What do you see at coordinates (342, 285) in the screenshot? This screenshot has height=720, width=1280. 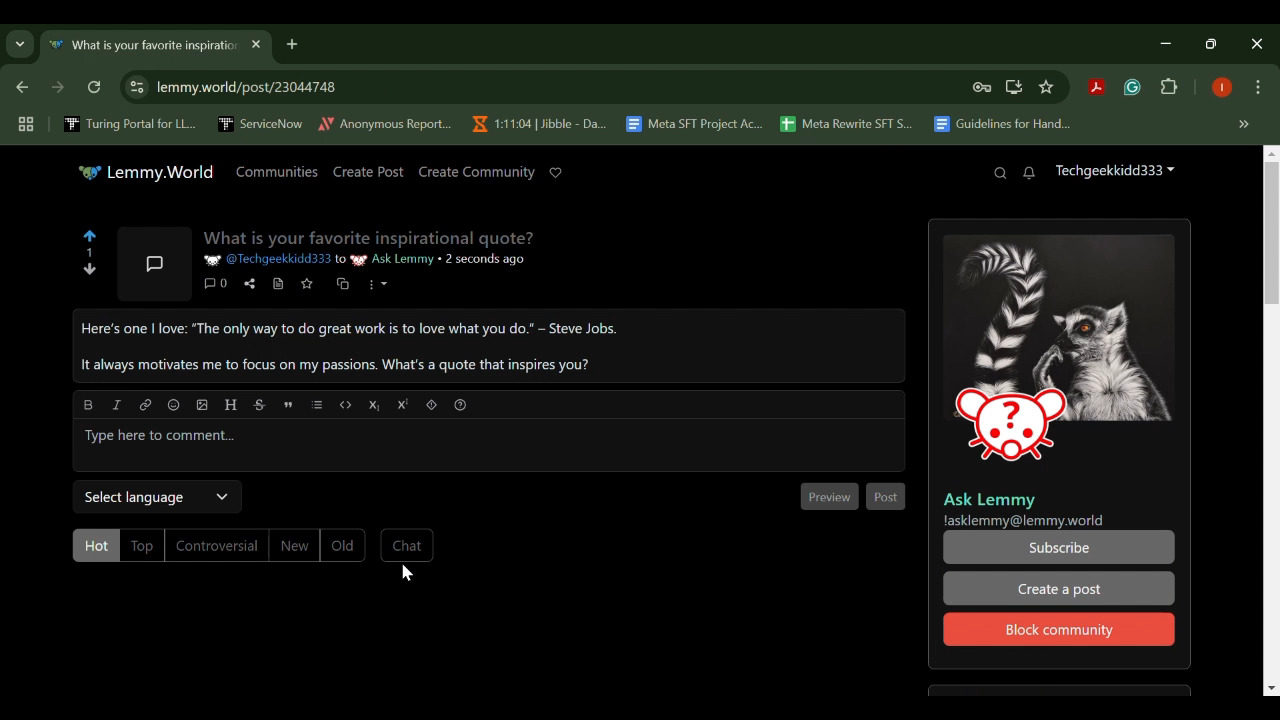 I see `Cross-post` at bounding box center [342, 285].